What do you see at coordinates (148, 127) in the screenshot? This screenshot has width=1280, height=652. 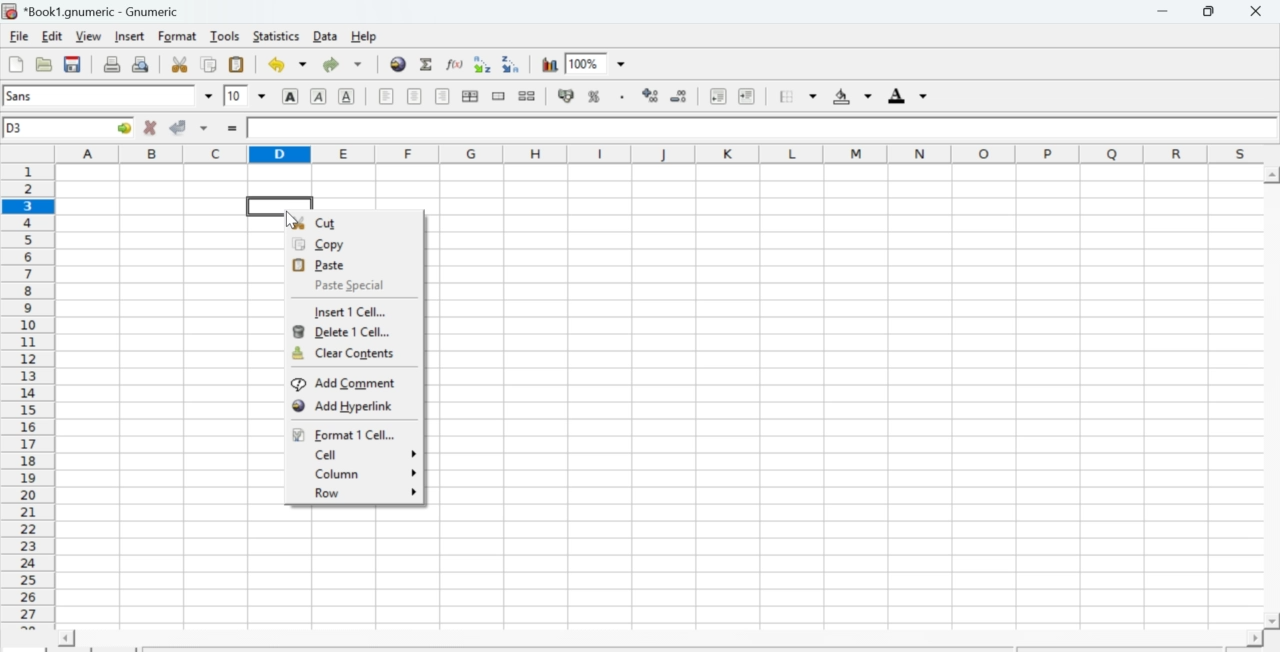 I see `Cancel change` at bounding box center [148, 127].